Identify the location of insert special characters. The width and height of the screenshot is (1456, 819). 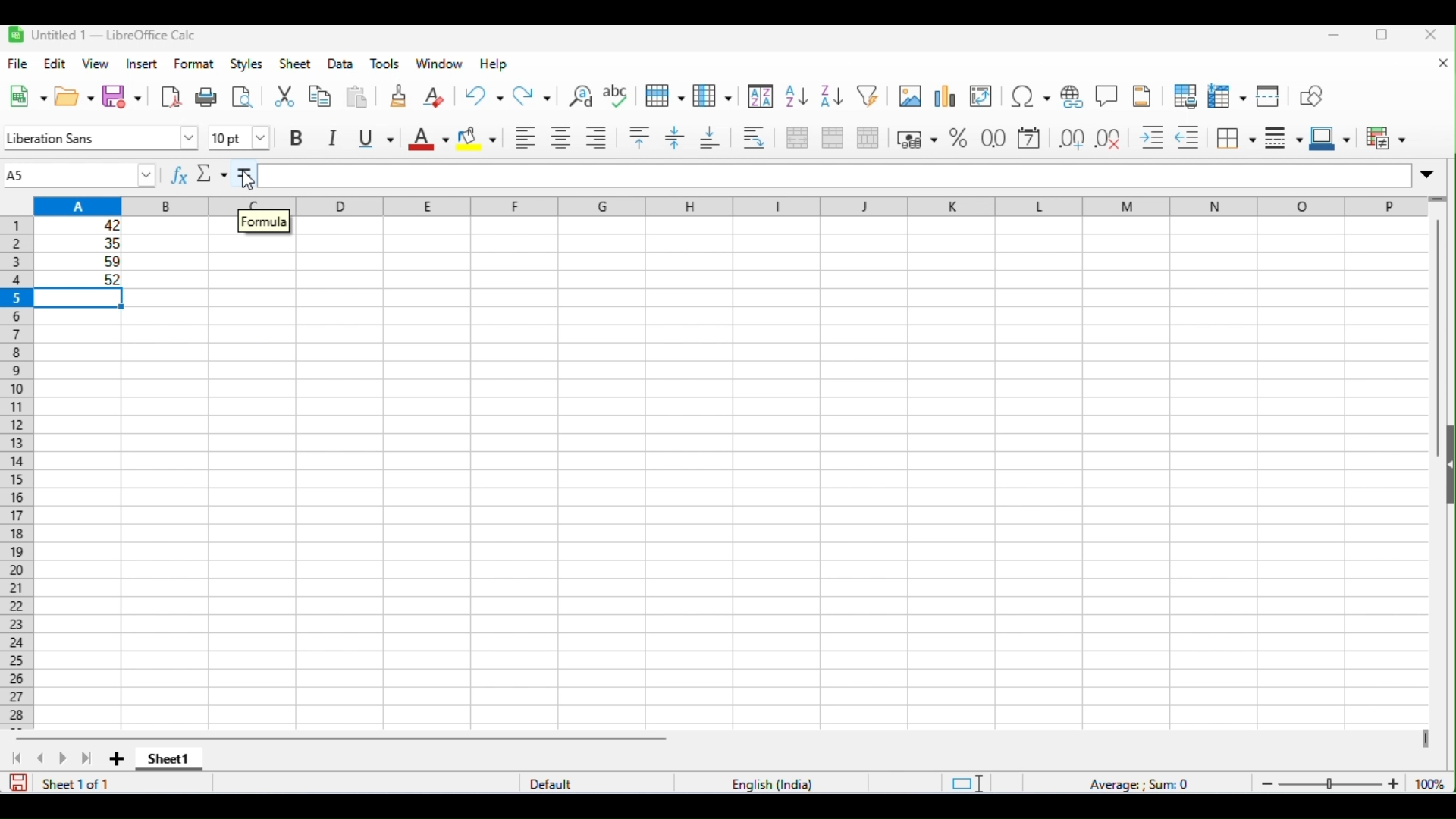
(1030, 96).